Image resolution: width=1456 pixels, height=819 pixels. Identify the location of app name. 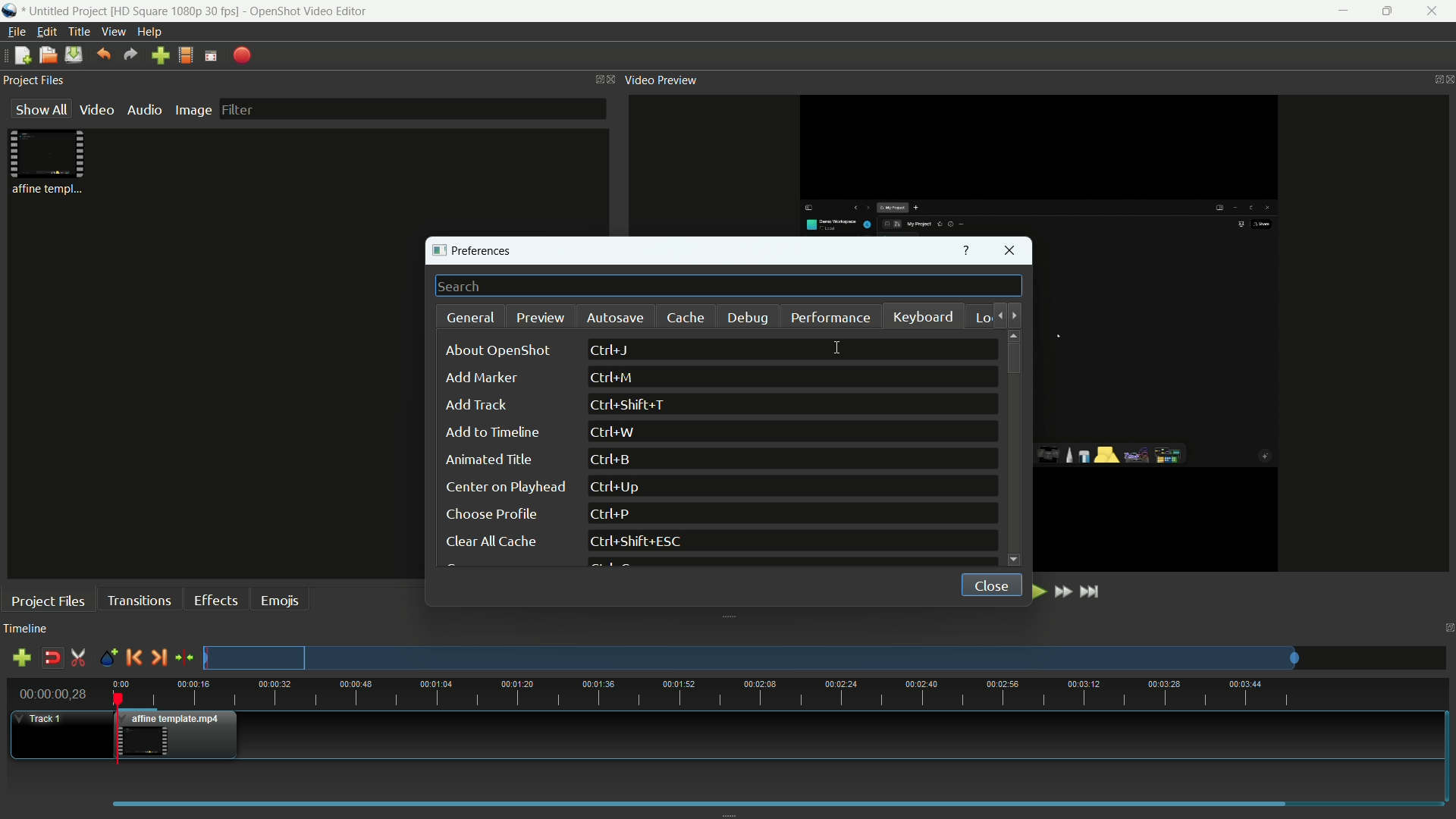
(308, 11).